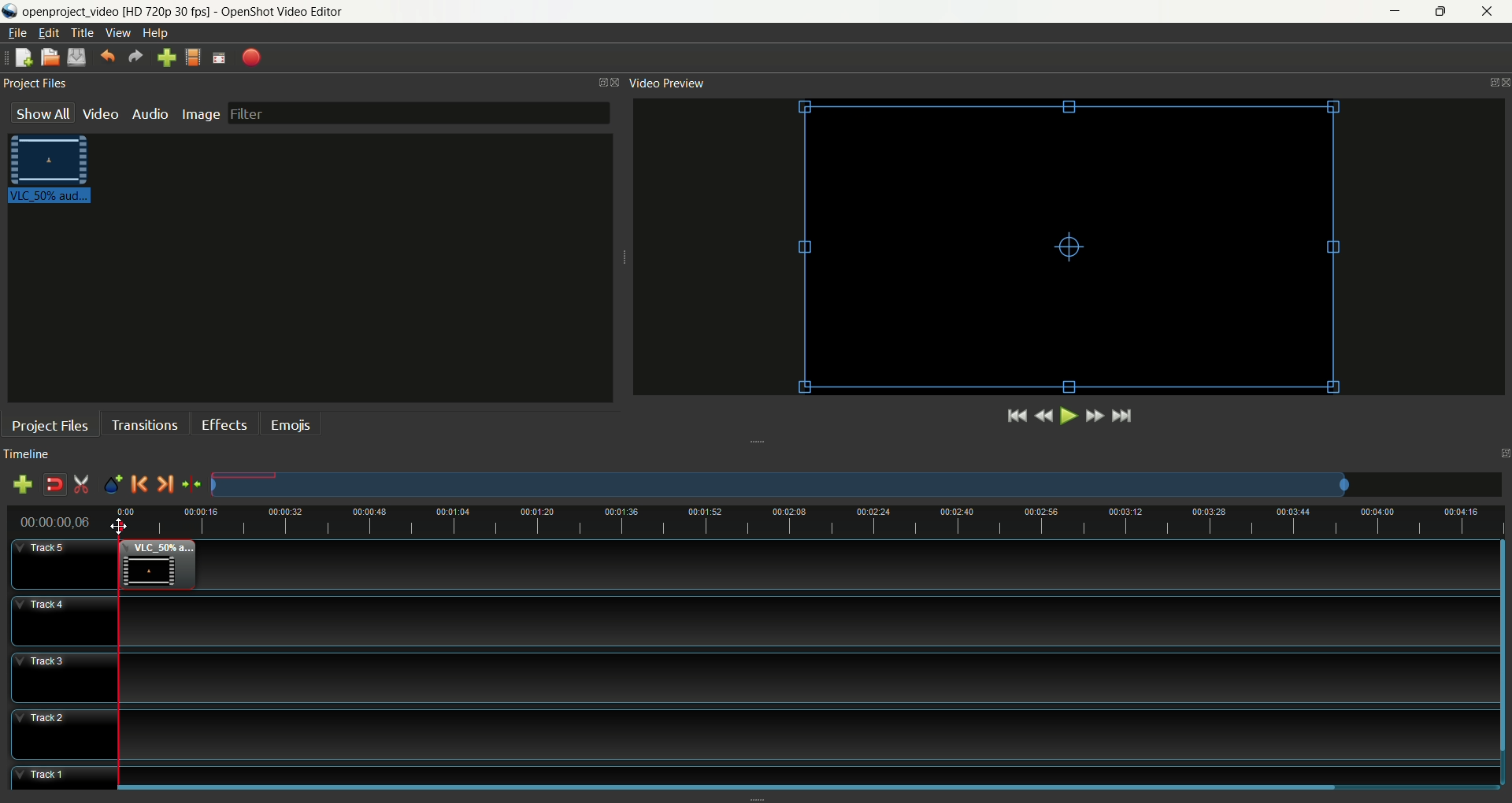 The image size is (1512, 803). I want to click on cursor, so click(119, 528).